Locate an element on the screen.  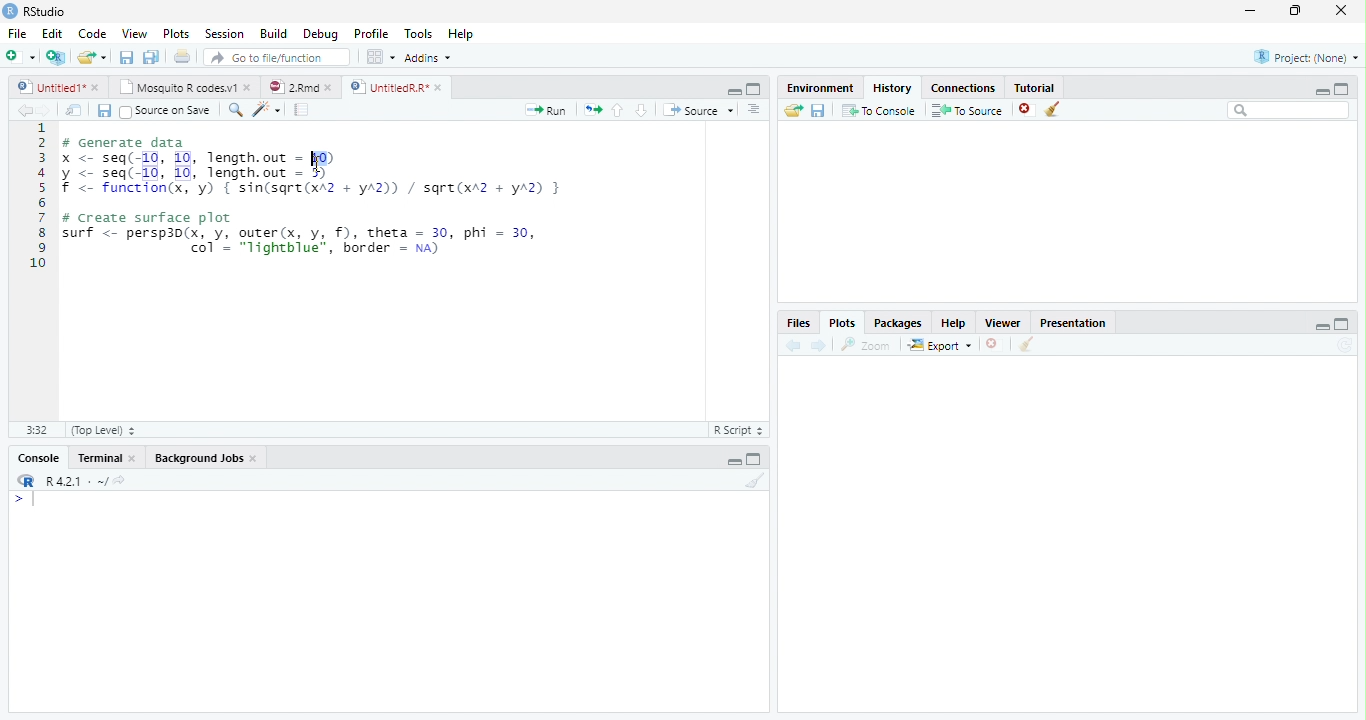
File is located at coordinates (17, 33).